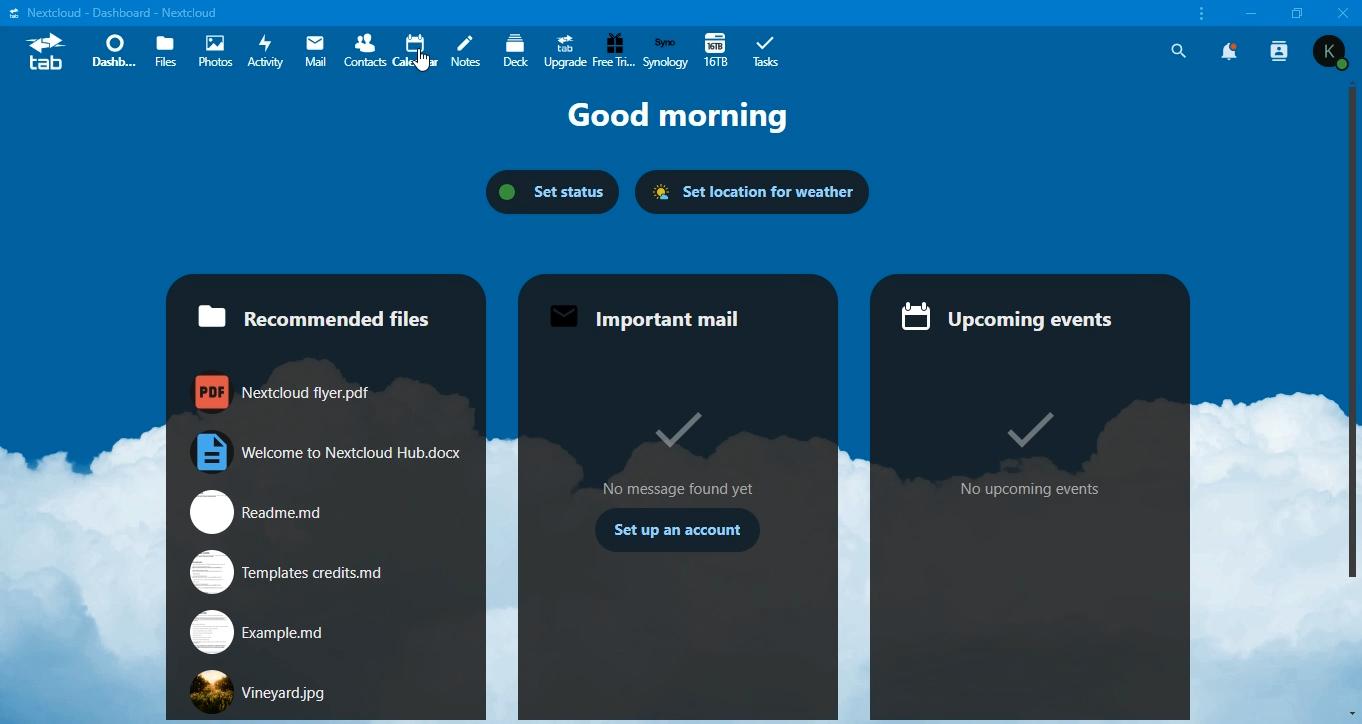 This screenshot has width=1362, height=724. I want to click on 16tb, so click(721, 48).